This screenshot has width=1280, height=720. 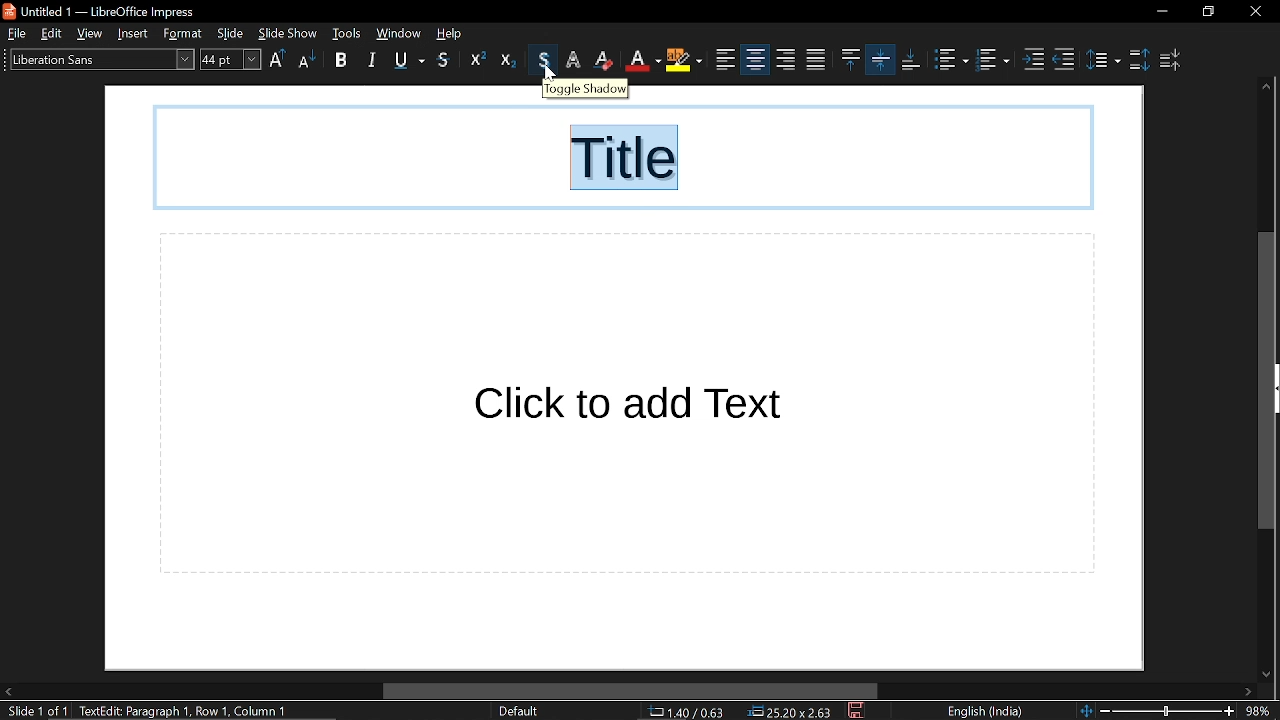 What do you see at coordinates (409, 60) in the screenshot?
I see `underline` at bounding box center [409, 60].